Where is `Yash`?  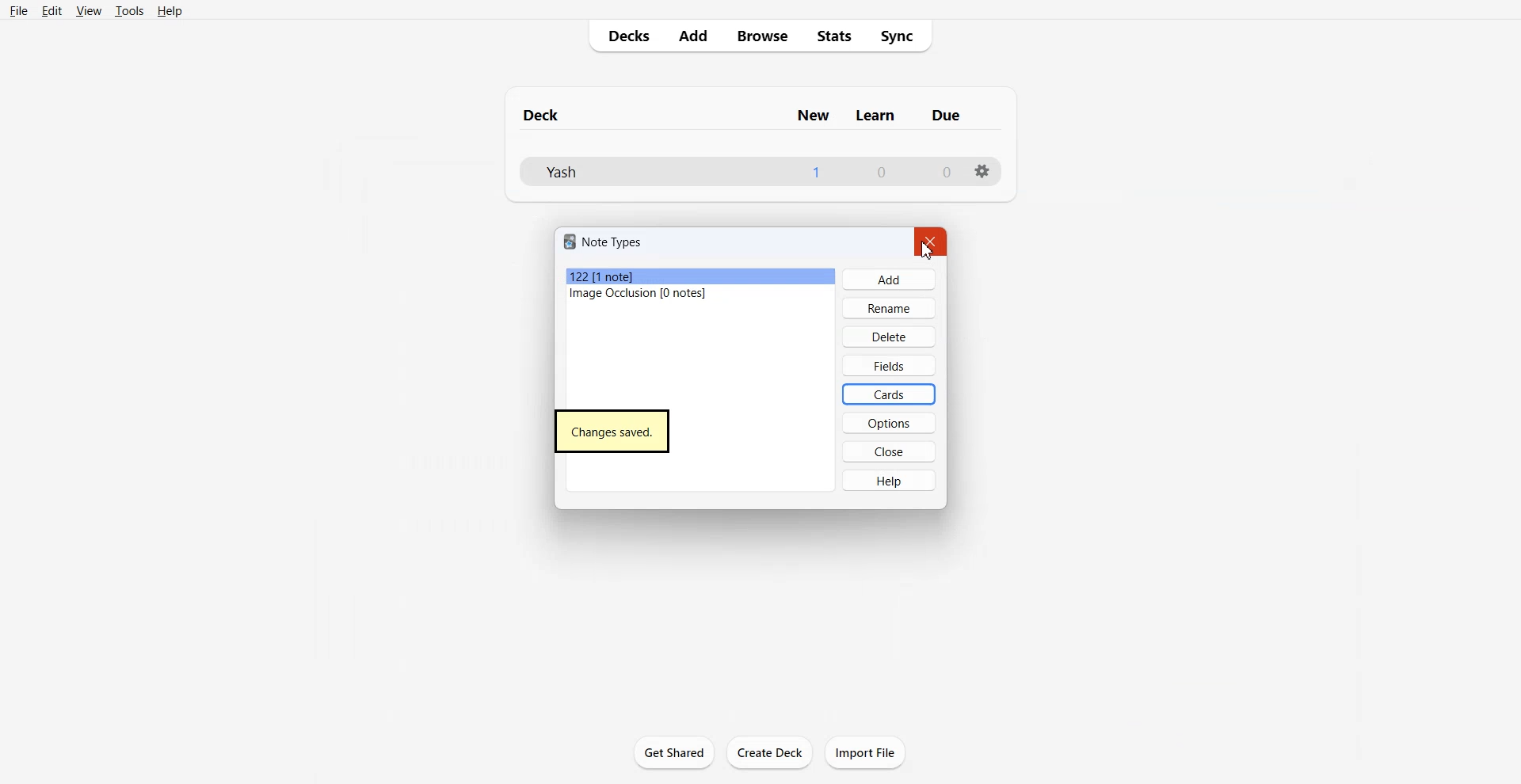 Yash is located at coordinates (562, 171).